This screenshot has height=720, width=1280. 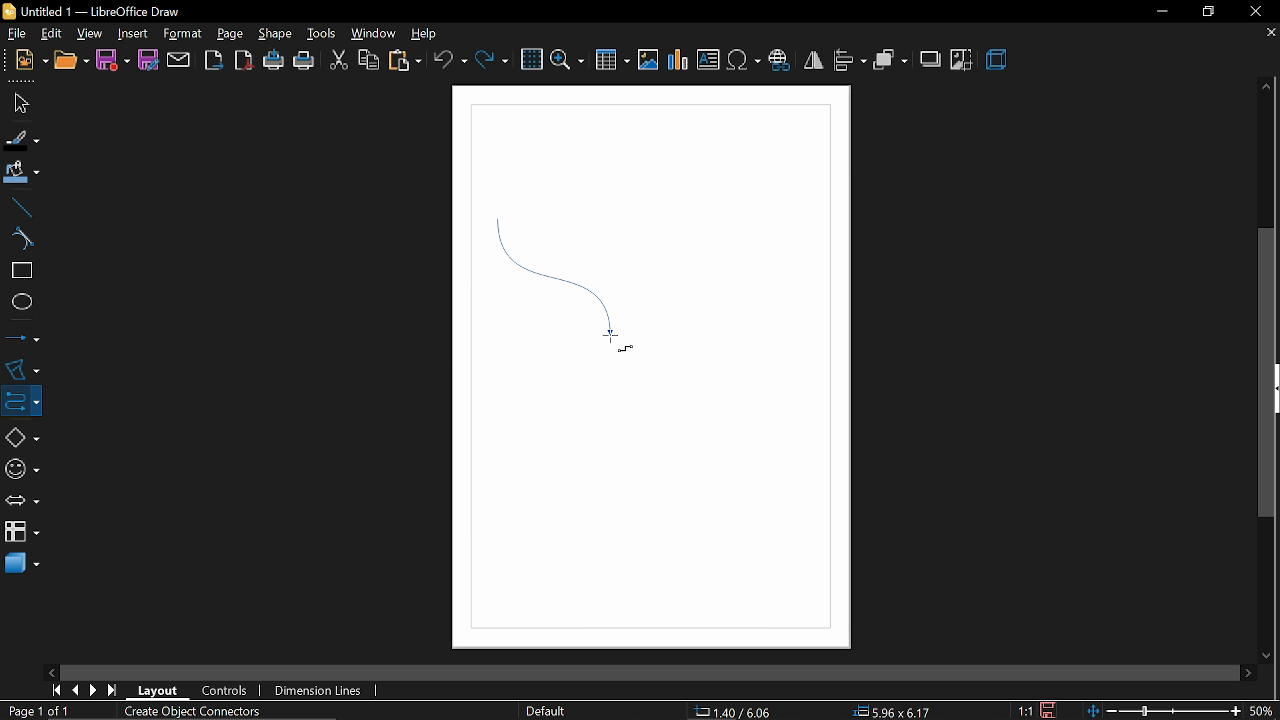 What do you see at coordinates (274, 62) in the screenshot?
I see `print directly` at bounding box center [274, 62].